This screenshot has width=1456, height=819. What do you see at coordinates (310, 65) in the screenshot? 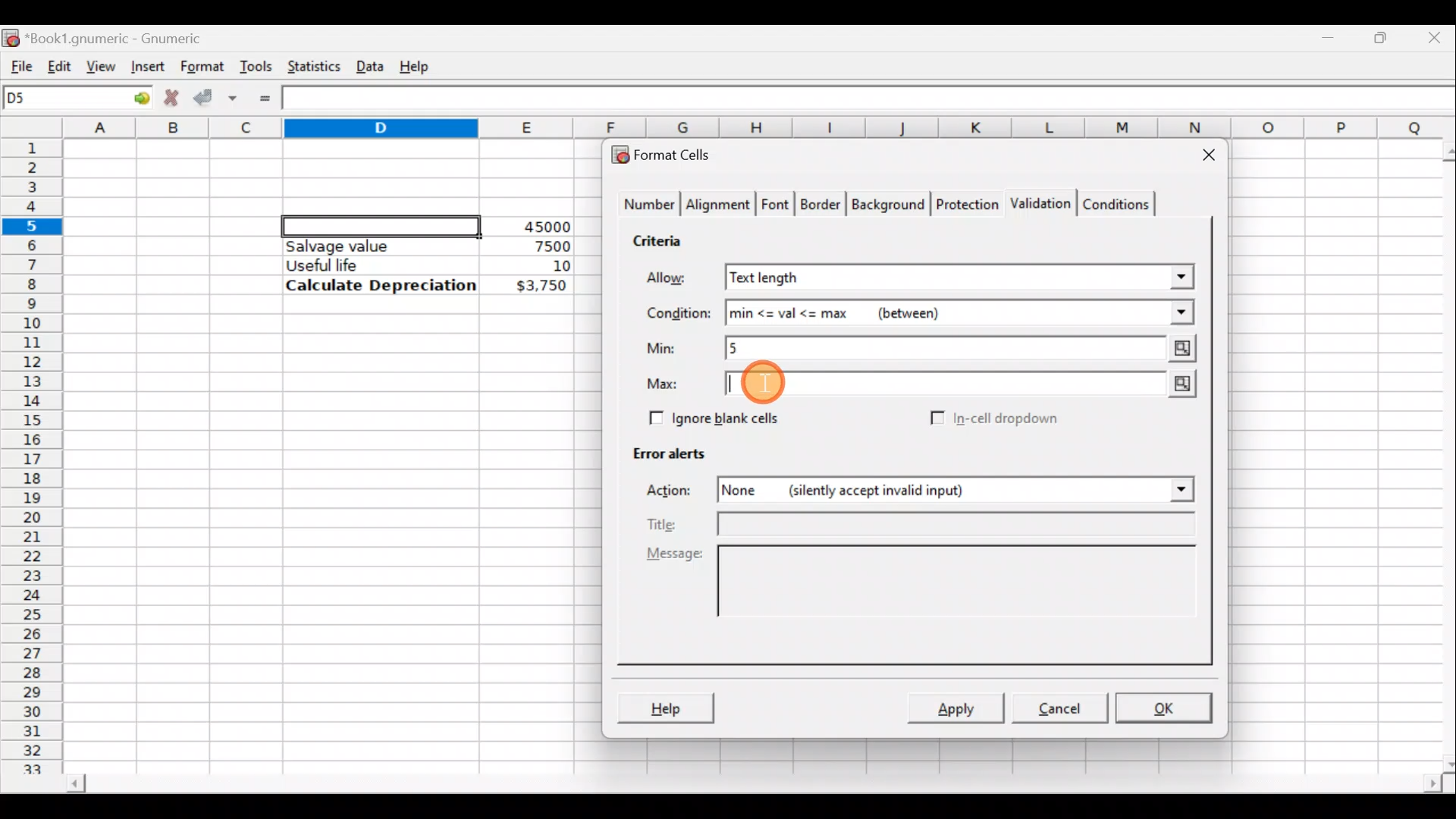
I see `Statistics` at bounding box center [310, 65].